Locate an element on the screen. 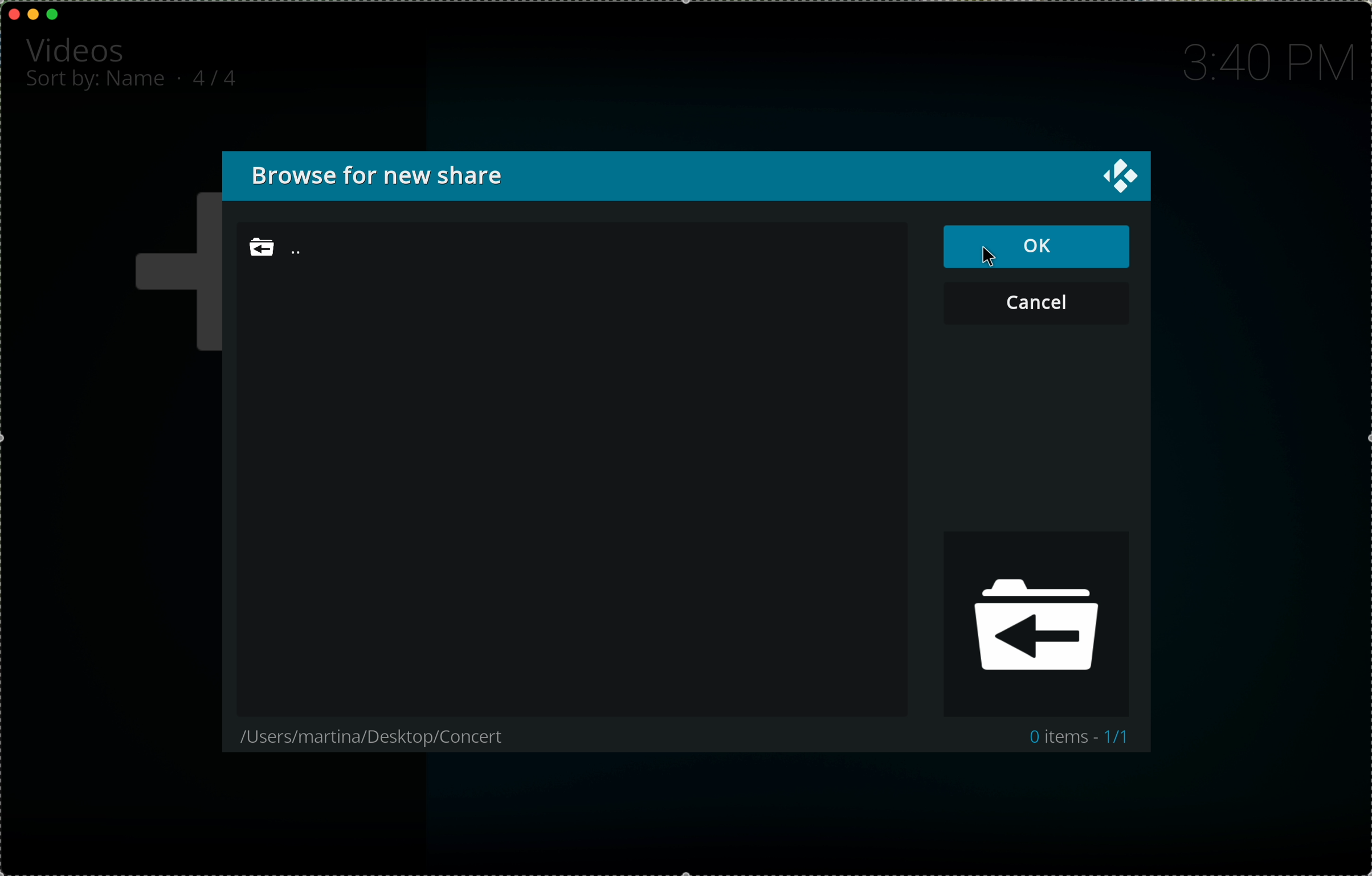 The height and width of the screenshot is (876, 1372). close is located at coordinates (1117, 177).